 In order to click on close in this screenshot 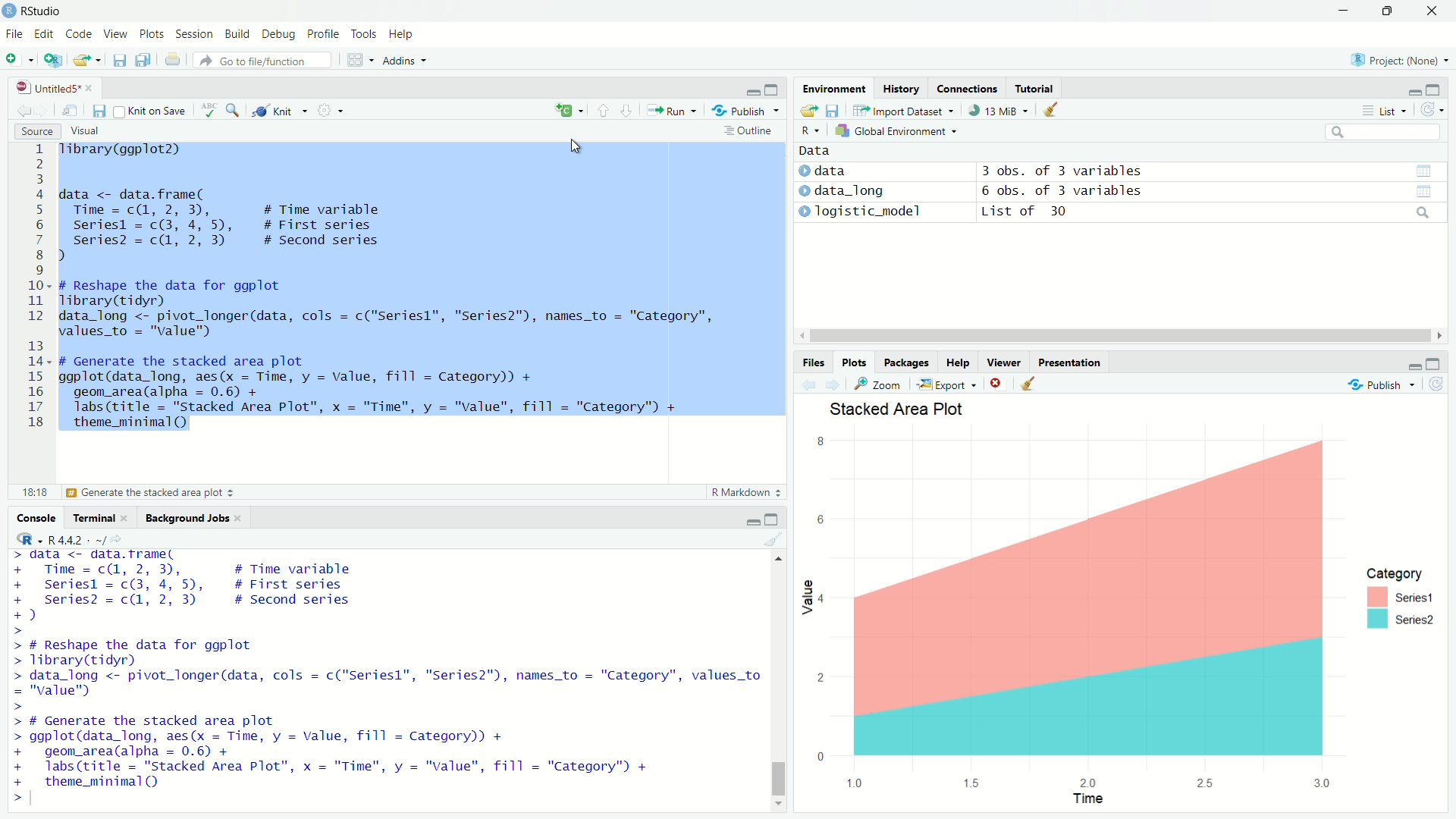, I will do `click(1435, 10)`.